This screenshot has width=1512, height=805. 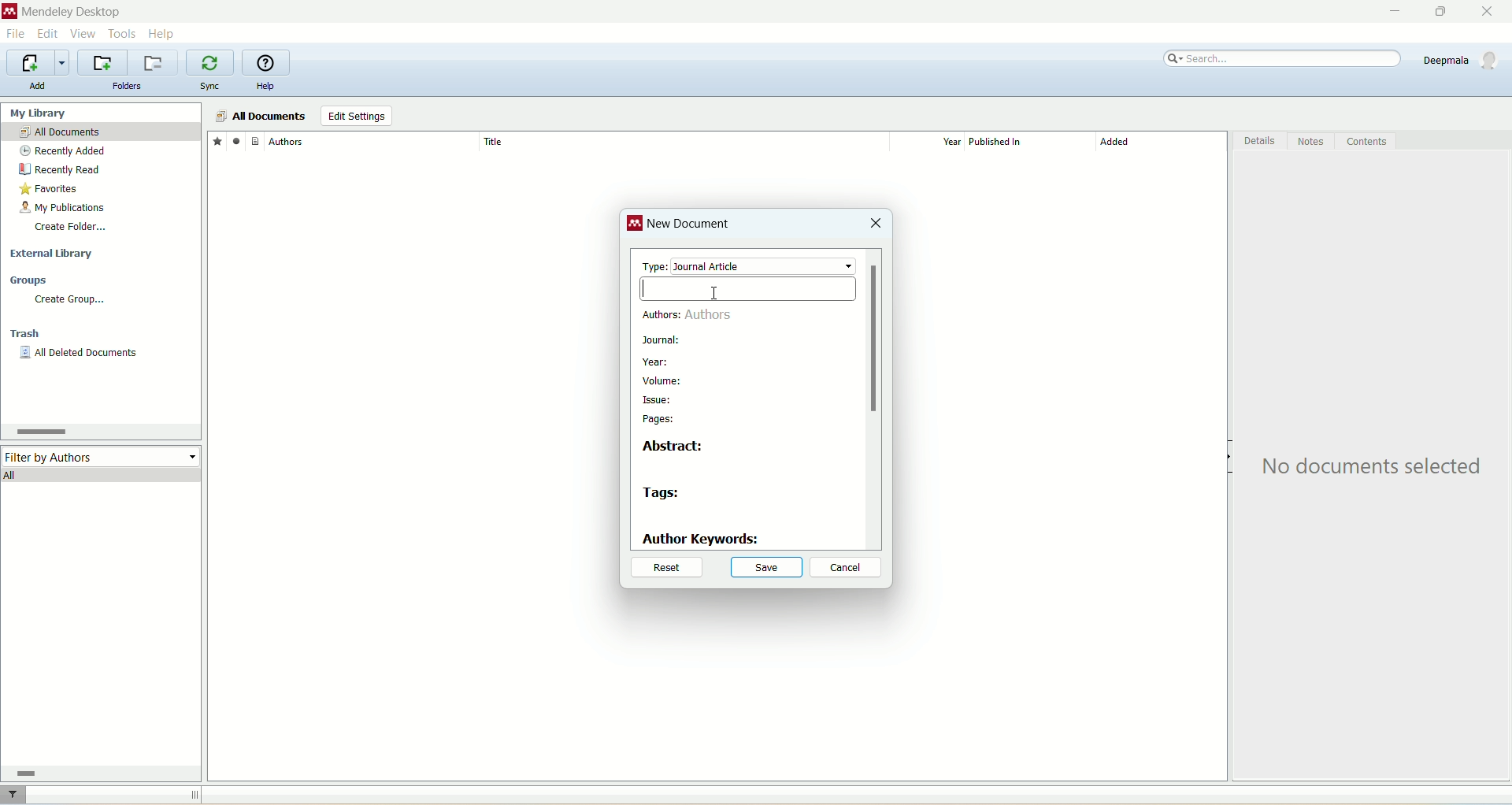 What do you see at coordinates (30, 281) in the screenshot?
I see `groups` at bounding box center [30, 281].